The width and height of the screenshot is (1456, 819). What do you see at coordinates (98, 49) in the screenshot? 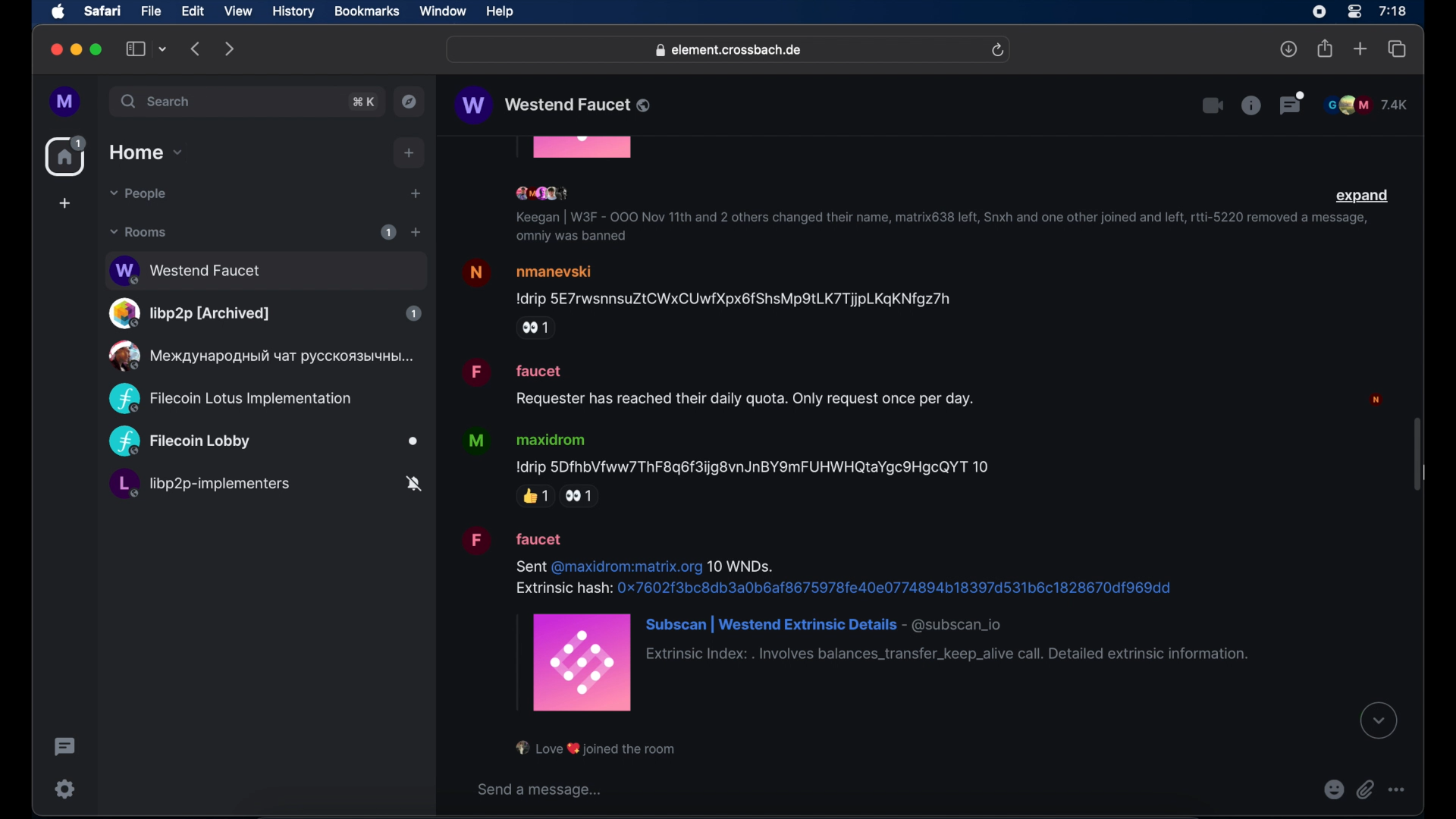
I see `maximize` at bounding box center [98, 49].